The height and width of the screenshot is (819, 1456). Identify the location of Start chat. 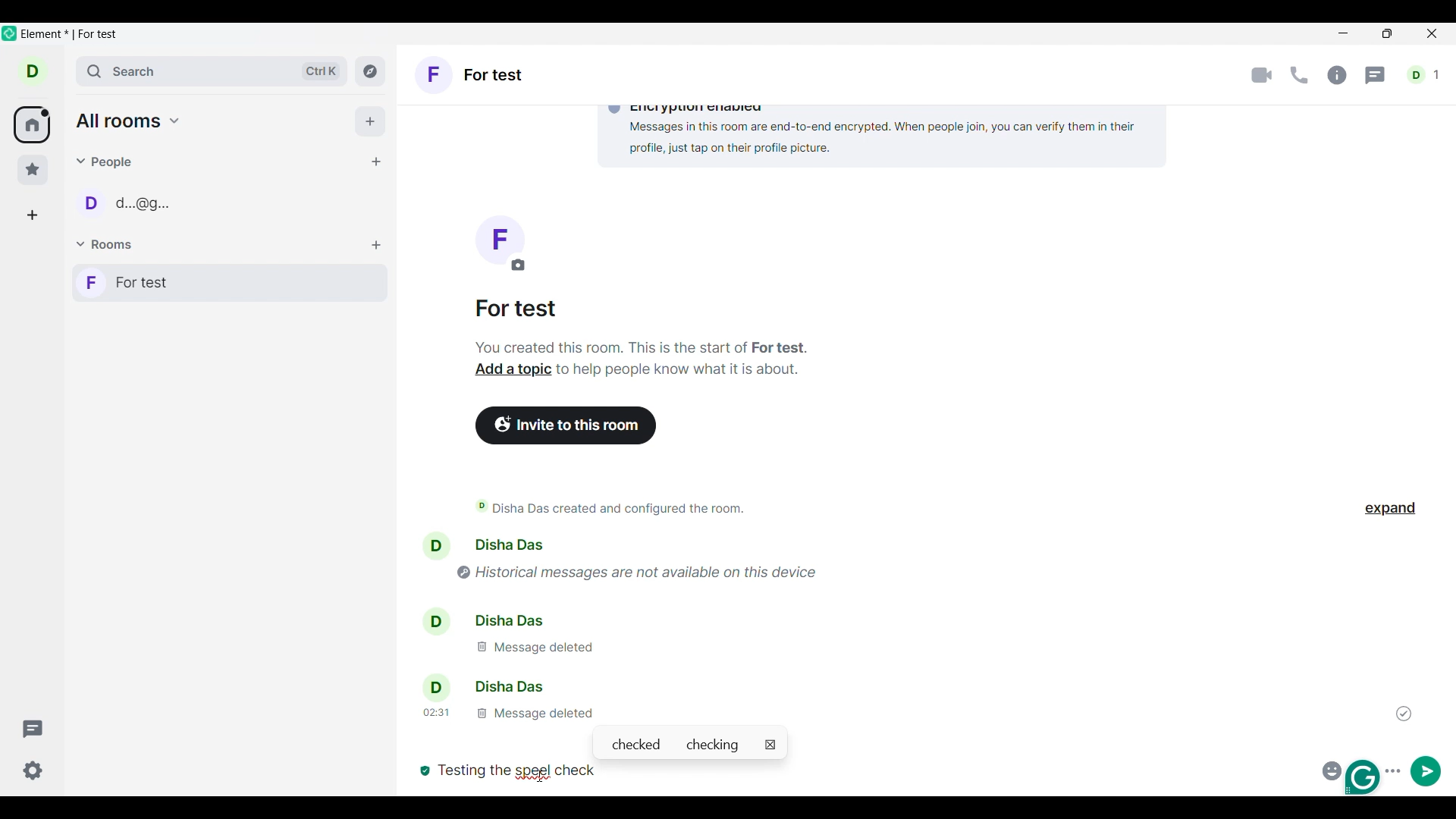
(375, 162).